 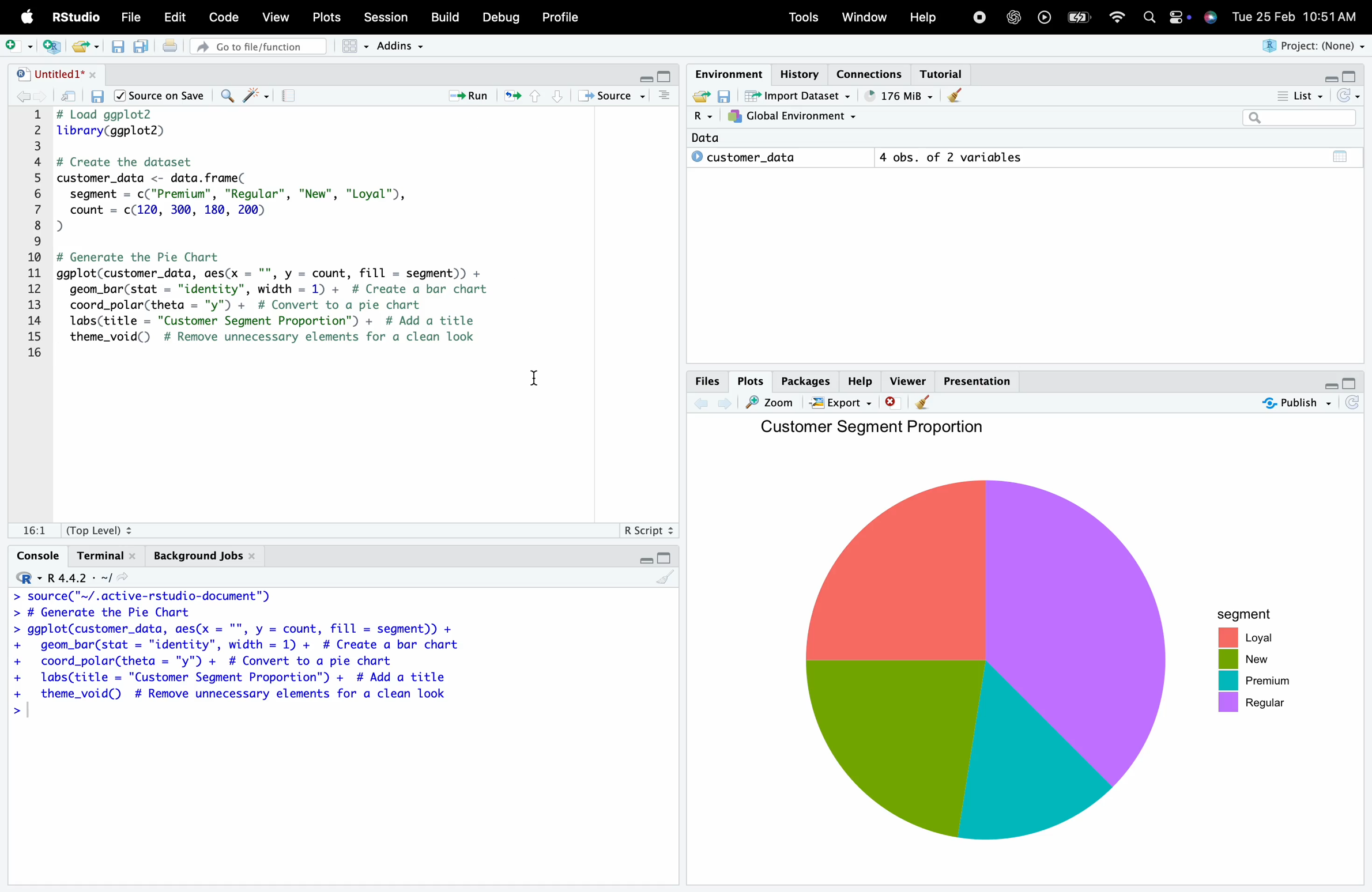 What do you see at coordinates (1296, 403) in the screenshot?
I see `Publish ~` at bounding box center [1296, 403].